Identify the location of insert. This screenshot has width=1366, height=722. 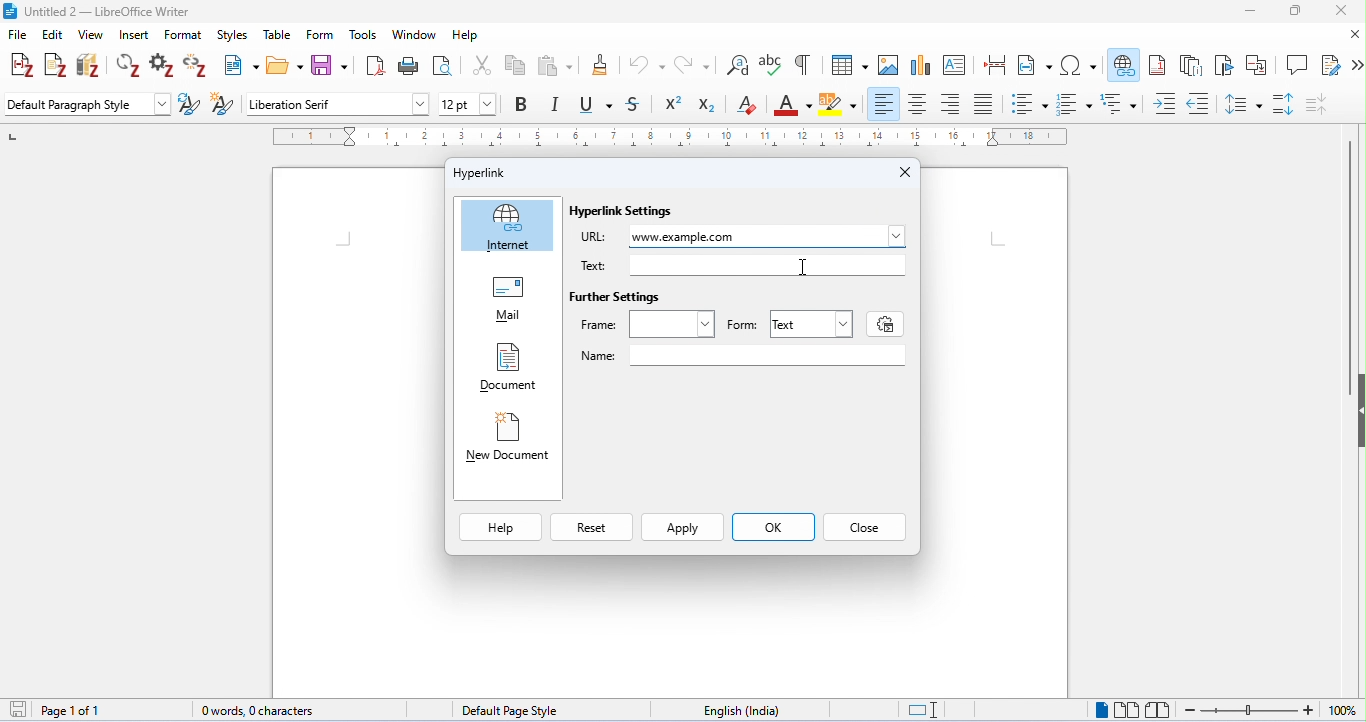
(134, 35).